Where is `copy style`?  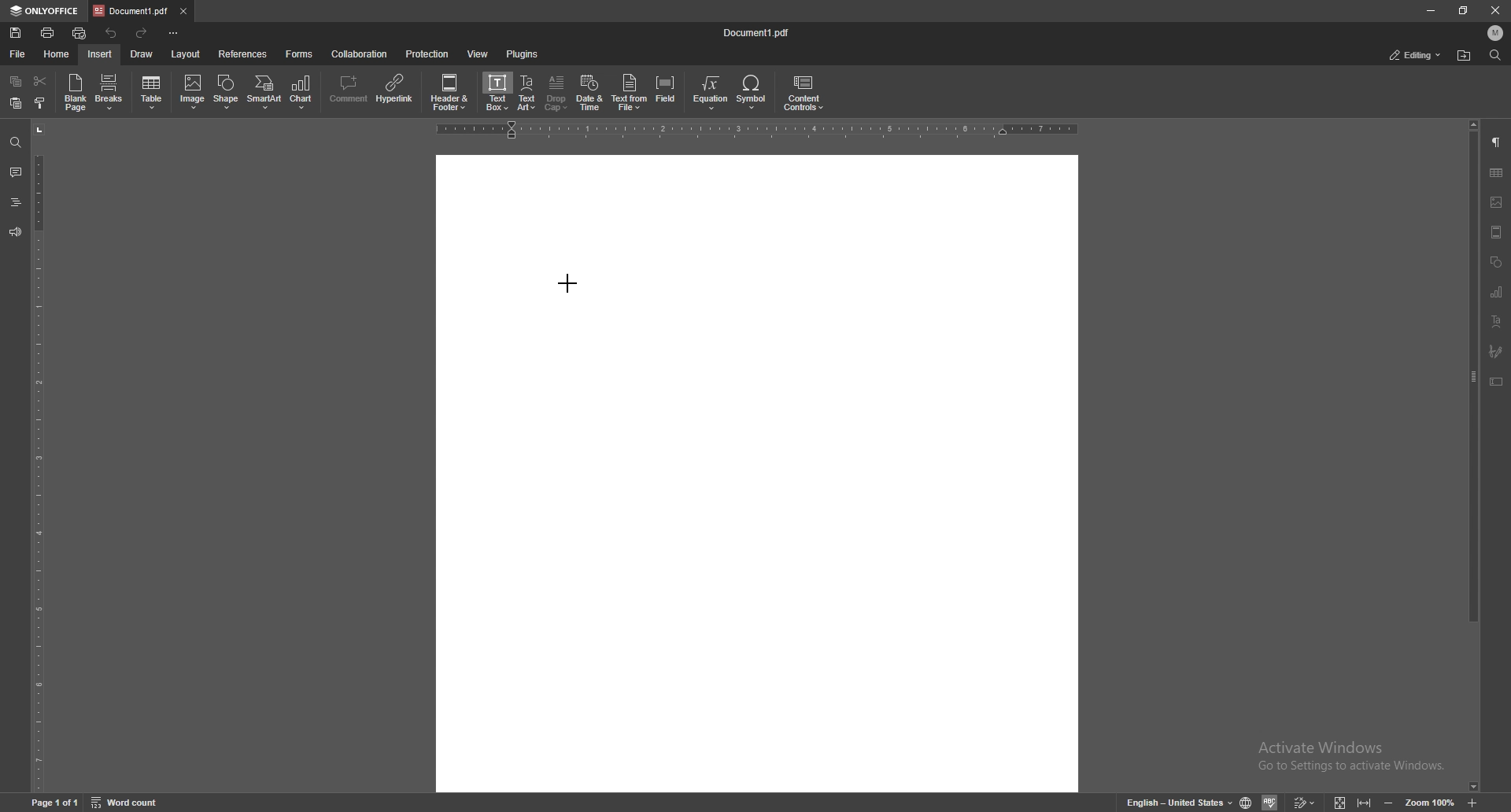
copy style is located at coordinates (40, 104).